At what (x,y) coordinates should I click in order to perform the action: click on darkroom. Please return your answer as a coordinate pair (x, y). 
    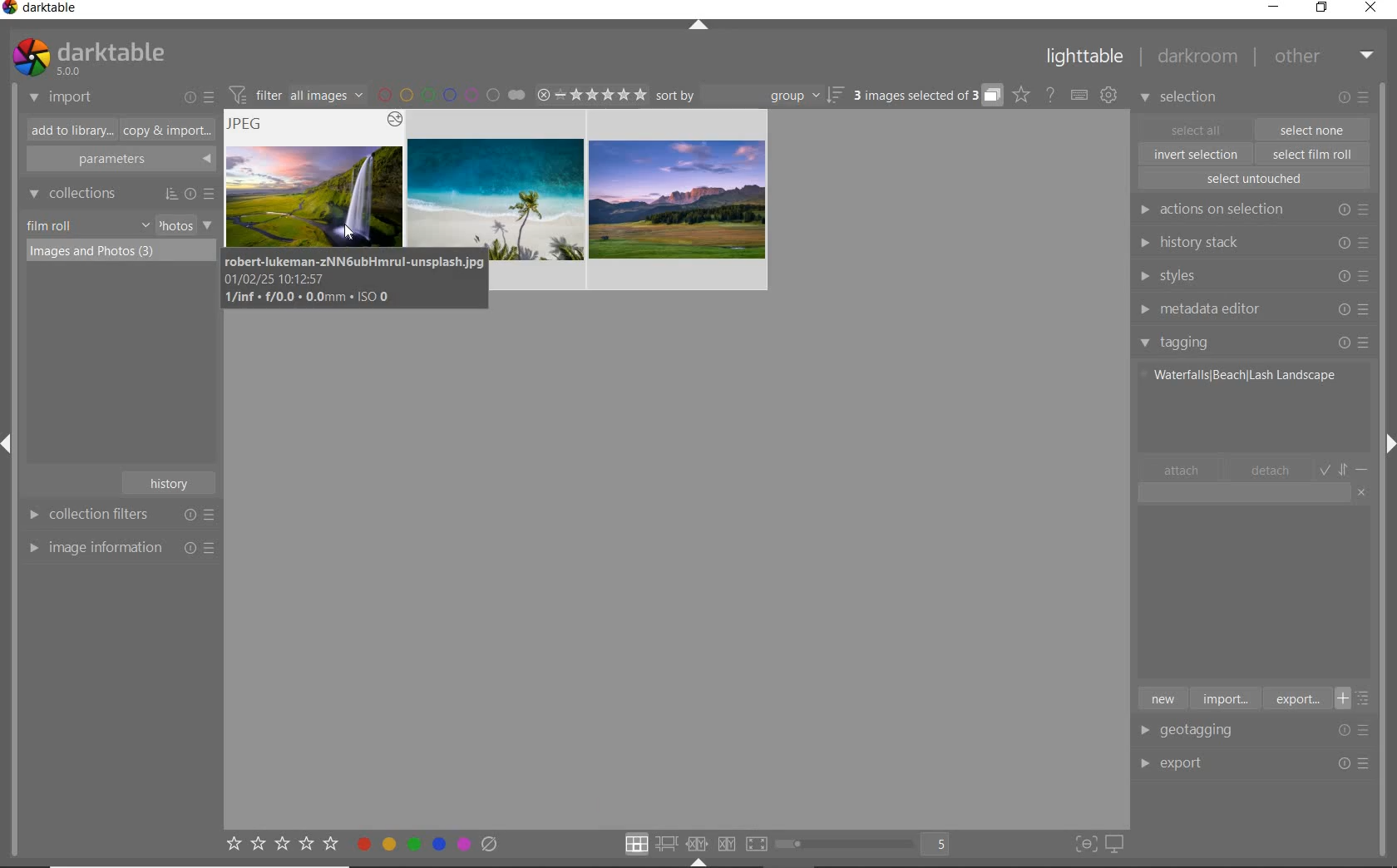
    Looking at the image, I should click on (1198, 59).